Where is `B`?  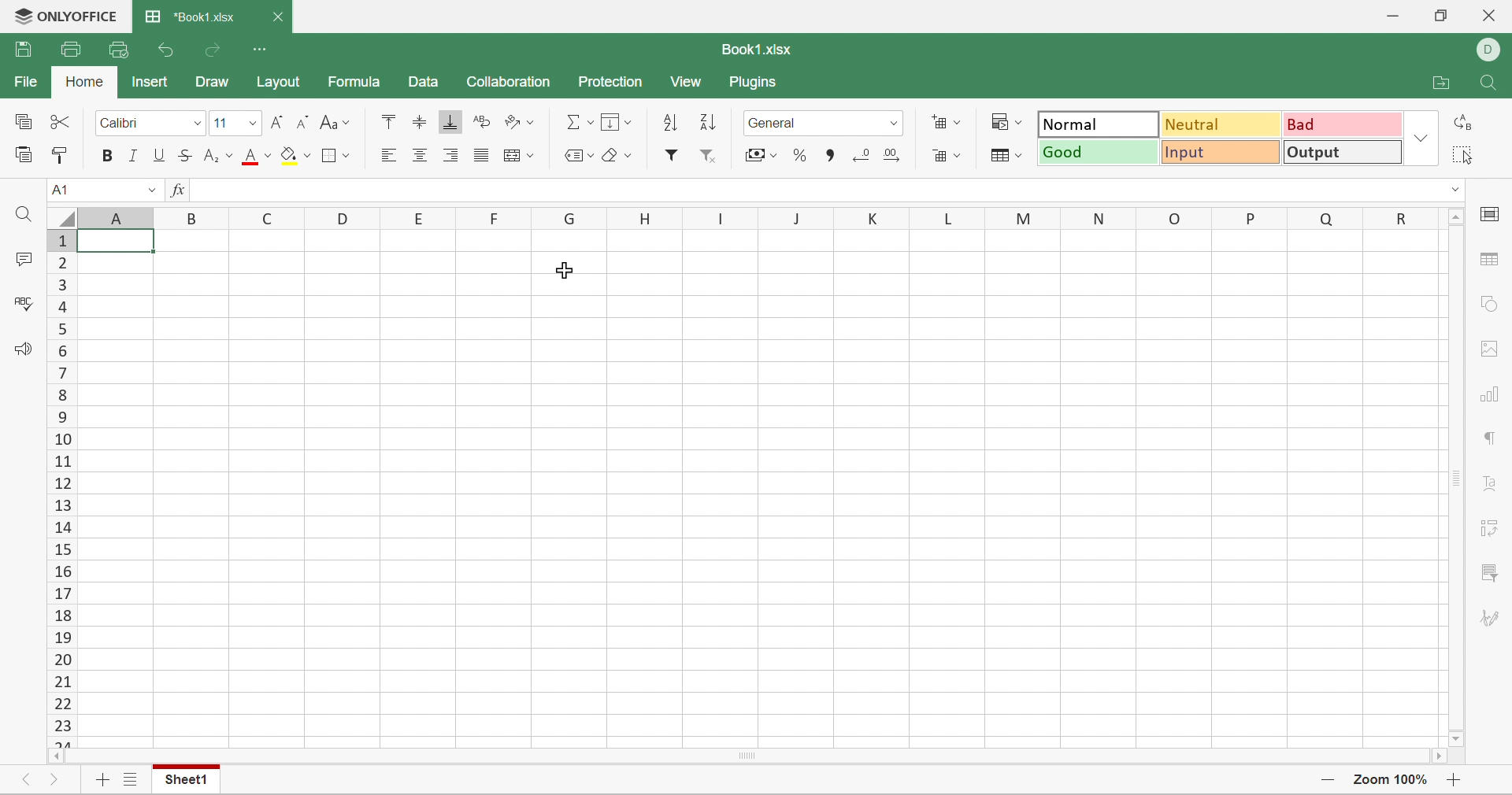 B is located at coordinates (195, 216).